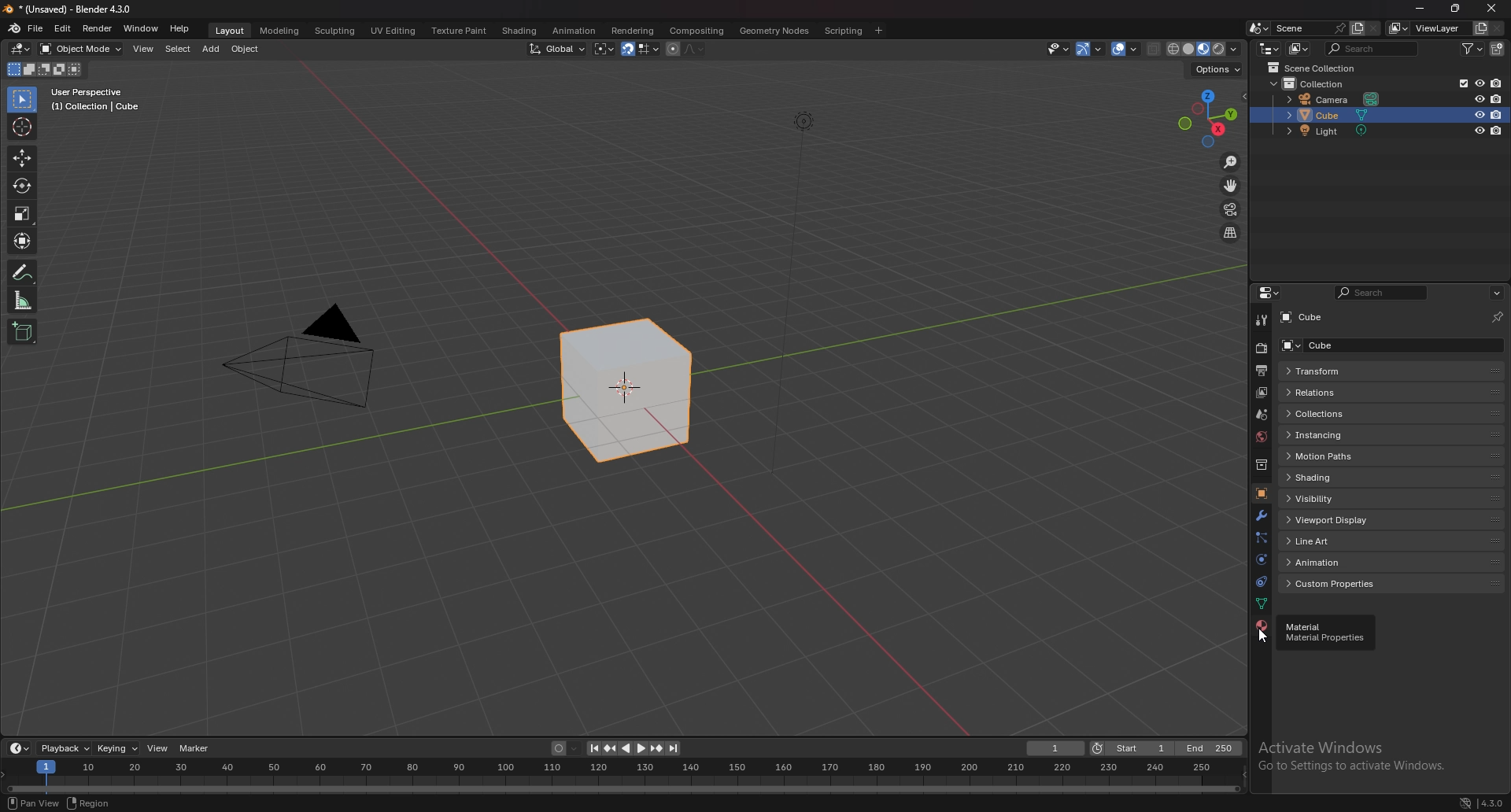 The image size is (1511, 812). What do you see at coordinates (518, 31) in the screenshot?
I see `shading` at bounding box center [518, 31].